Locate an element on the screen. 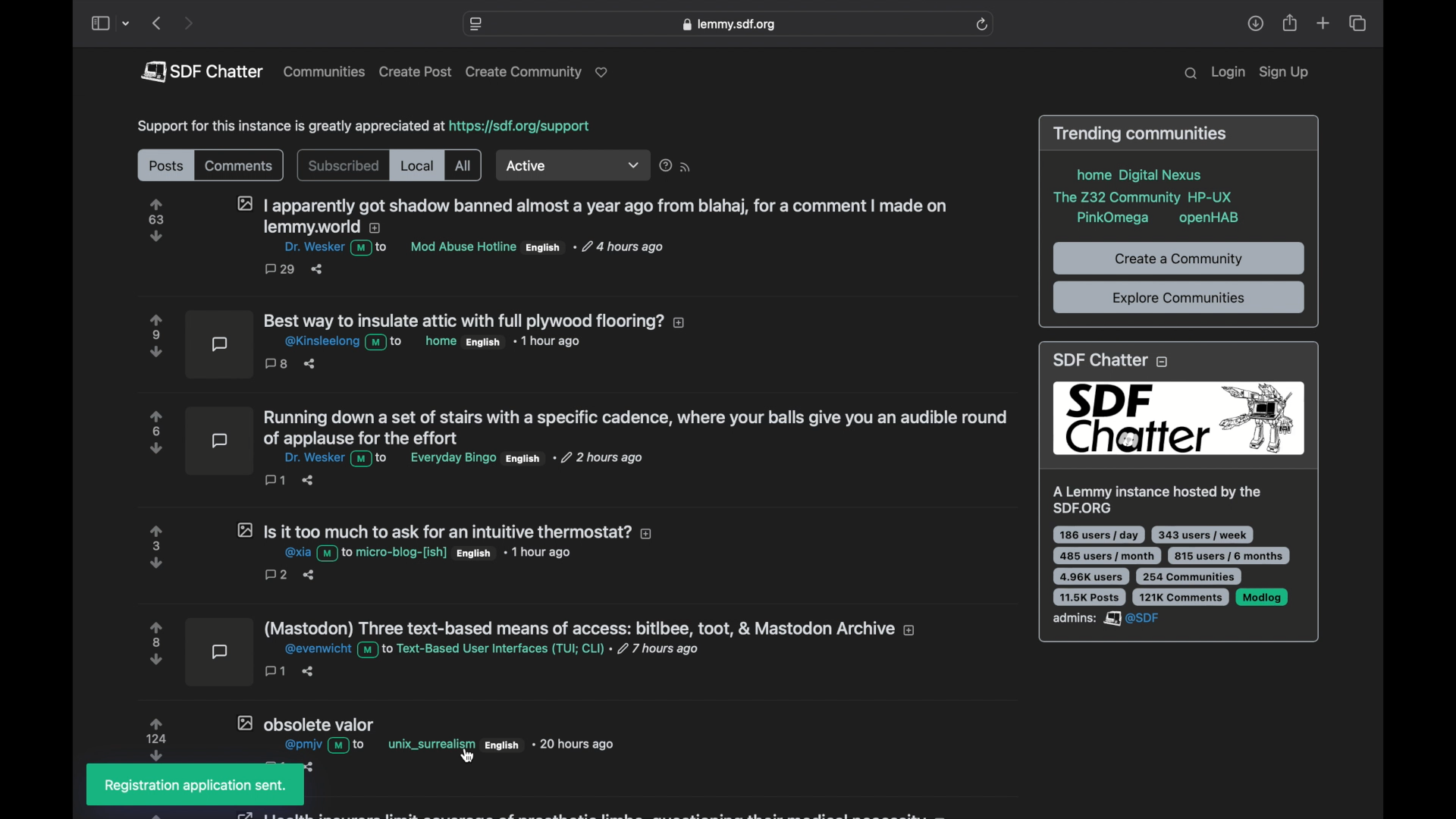  posts is located at coordinates (165, 167).